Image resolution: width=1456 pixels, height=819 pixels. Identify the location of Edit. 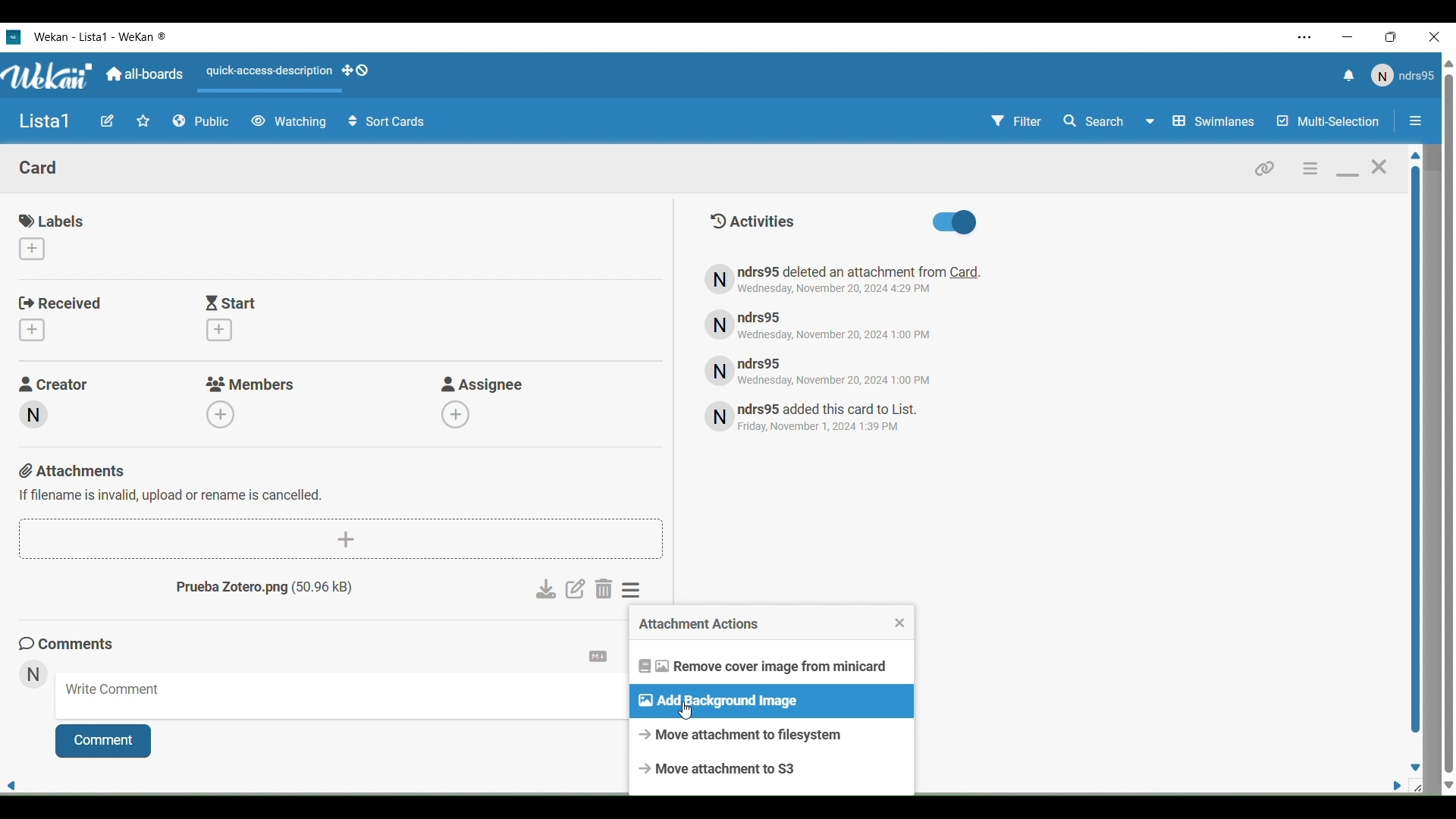
(107, 121).